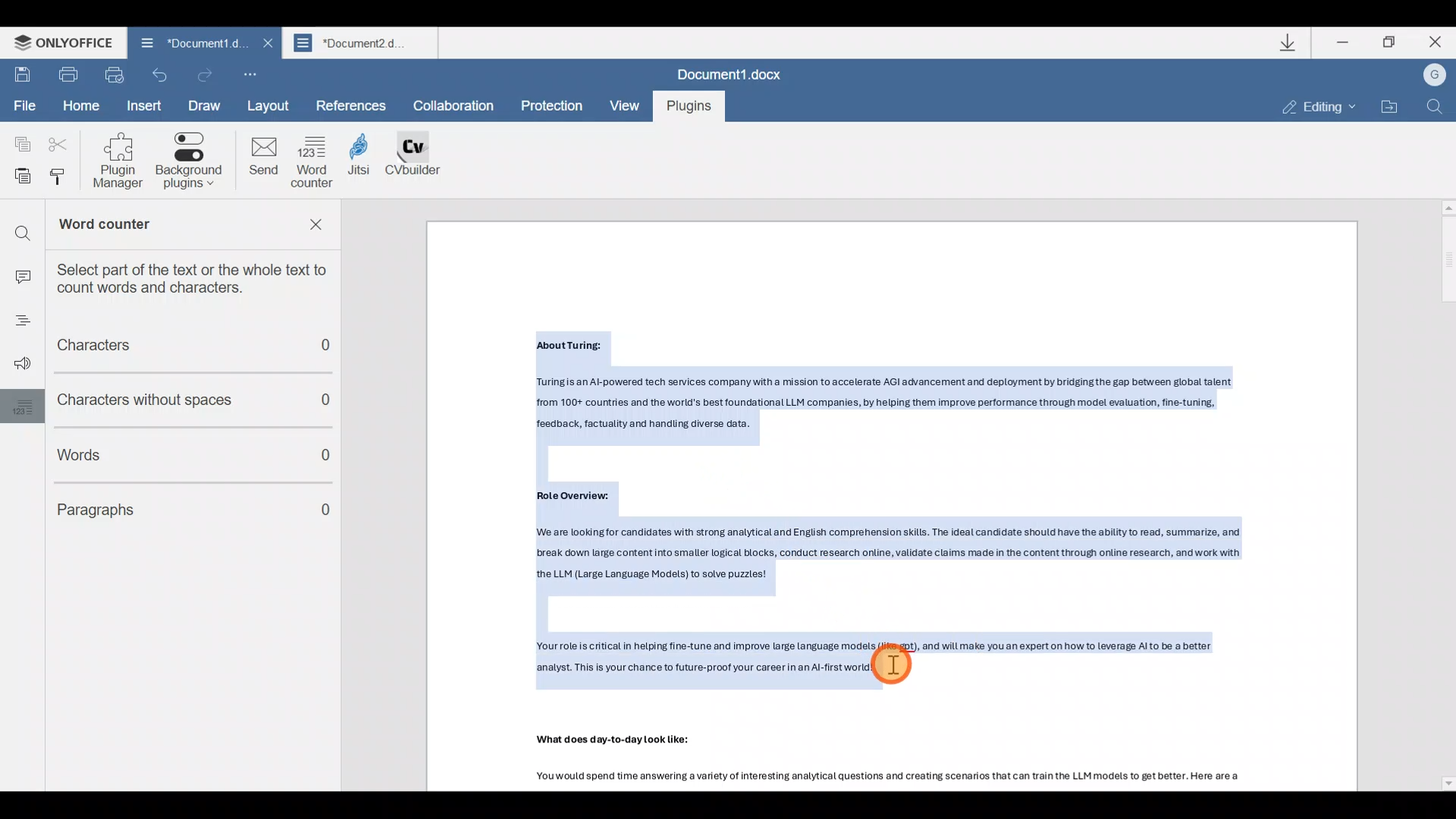 This screenshot has width=1456, height=819. Describe the element at coordinates (1438, 108) in the screenshot. I see `Find` at that location.